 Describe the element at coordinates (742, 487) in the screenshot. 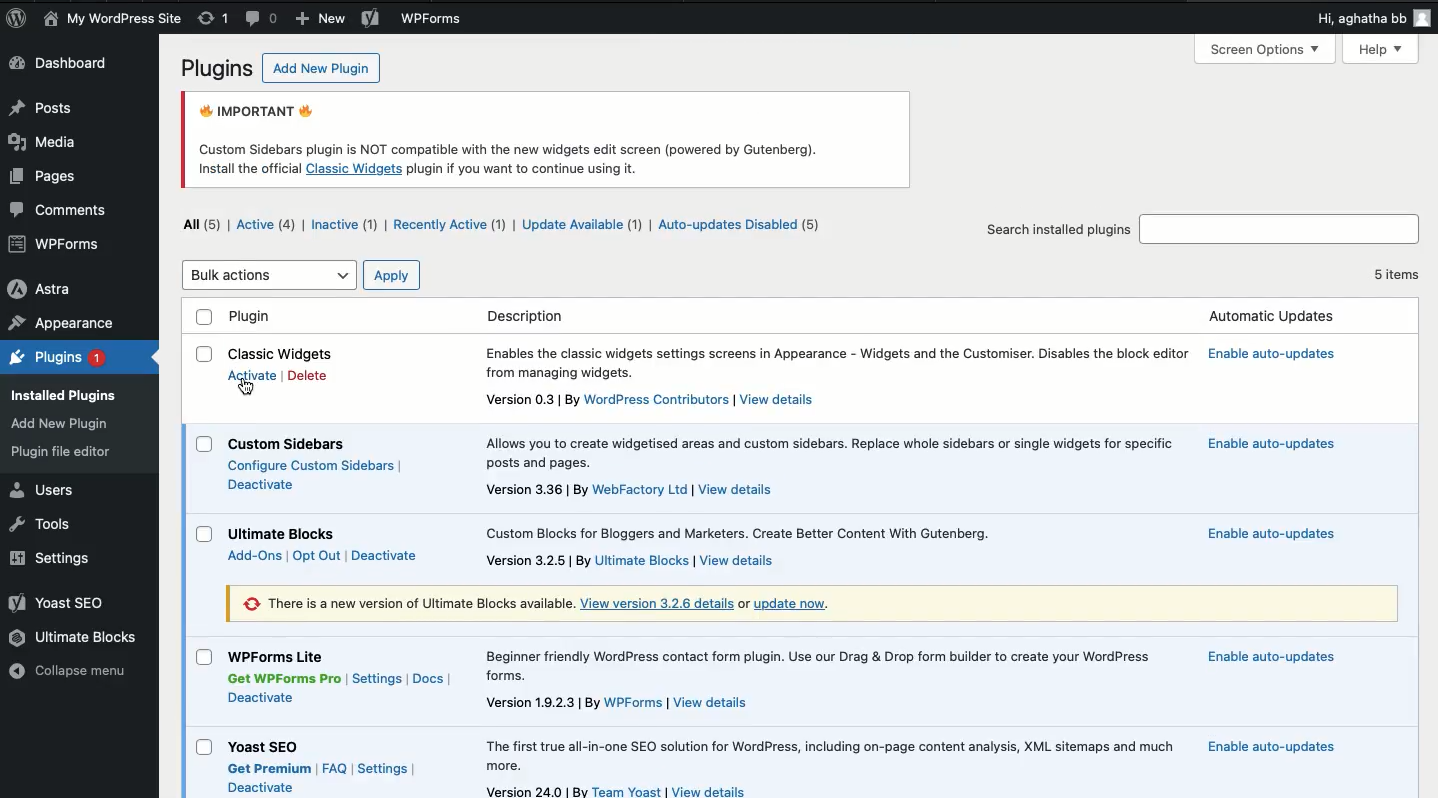

I see `view details` at that location.